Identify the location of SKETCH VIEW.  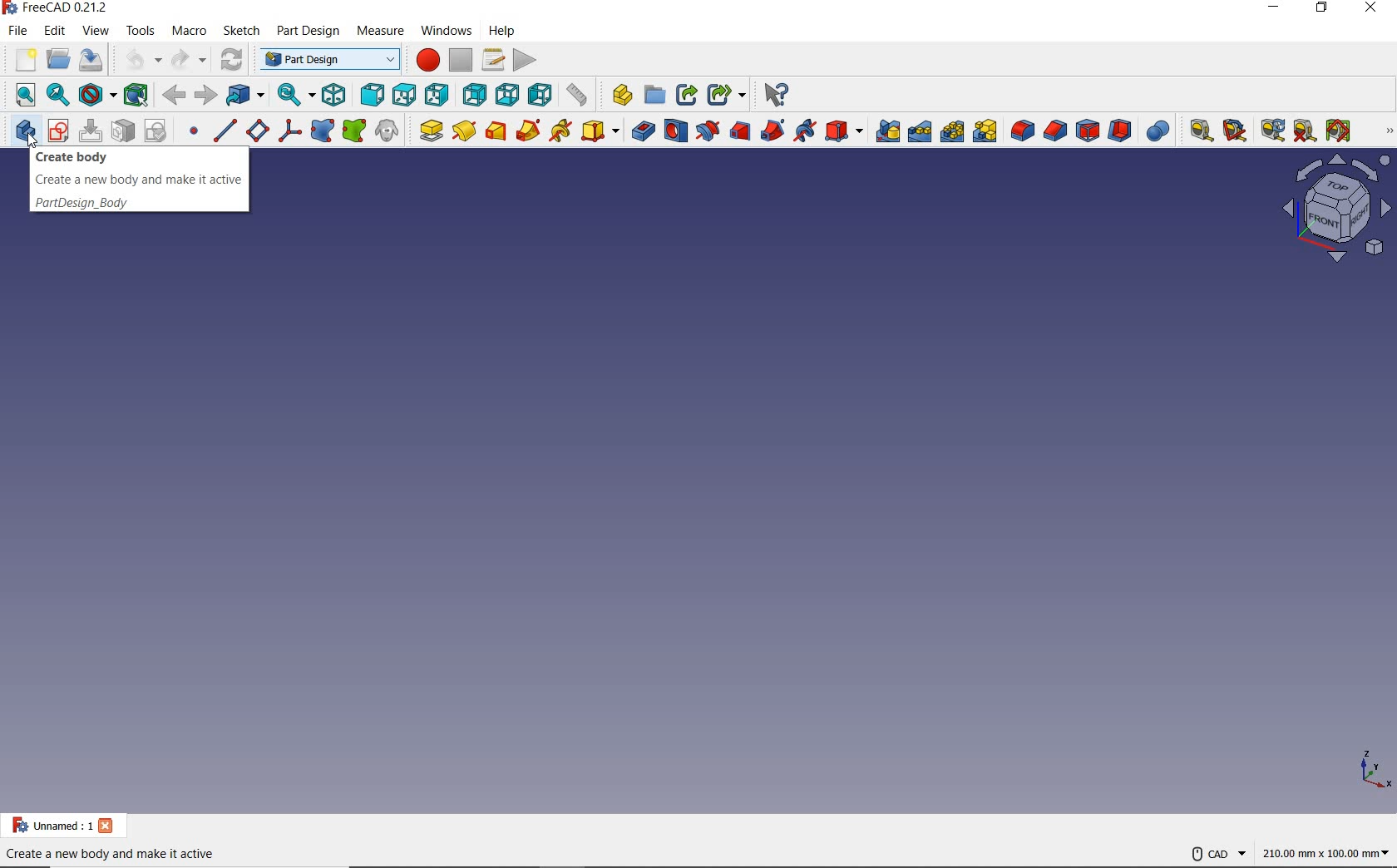
(1340, 210).